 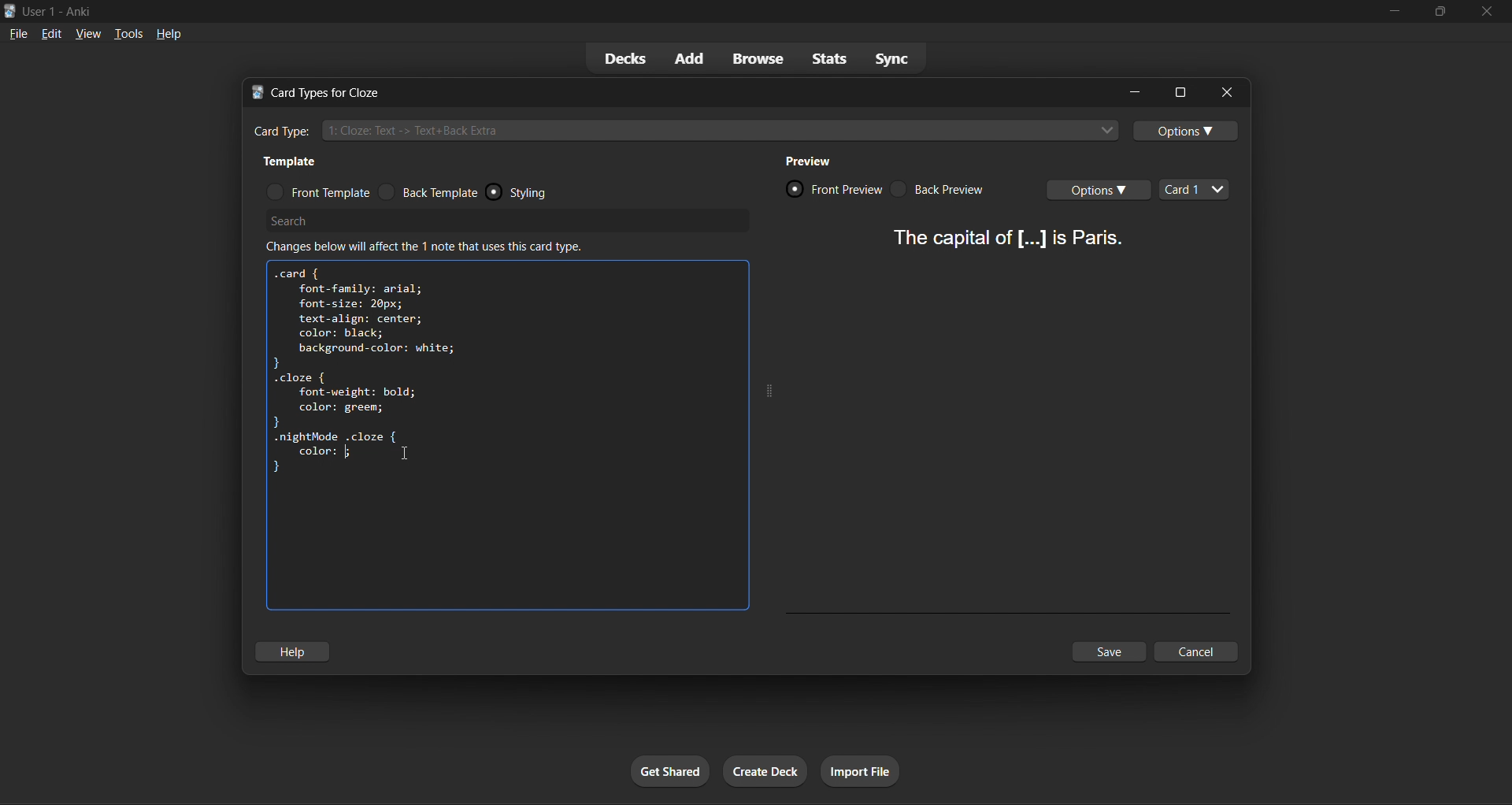 I want to click on help, so click(x=294, y=652).